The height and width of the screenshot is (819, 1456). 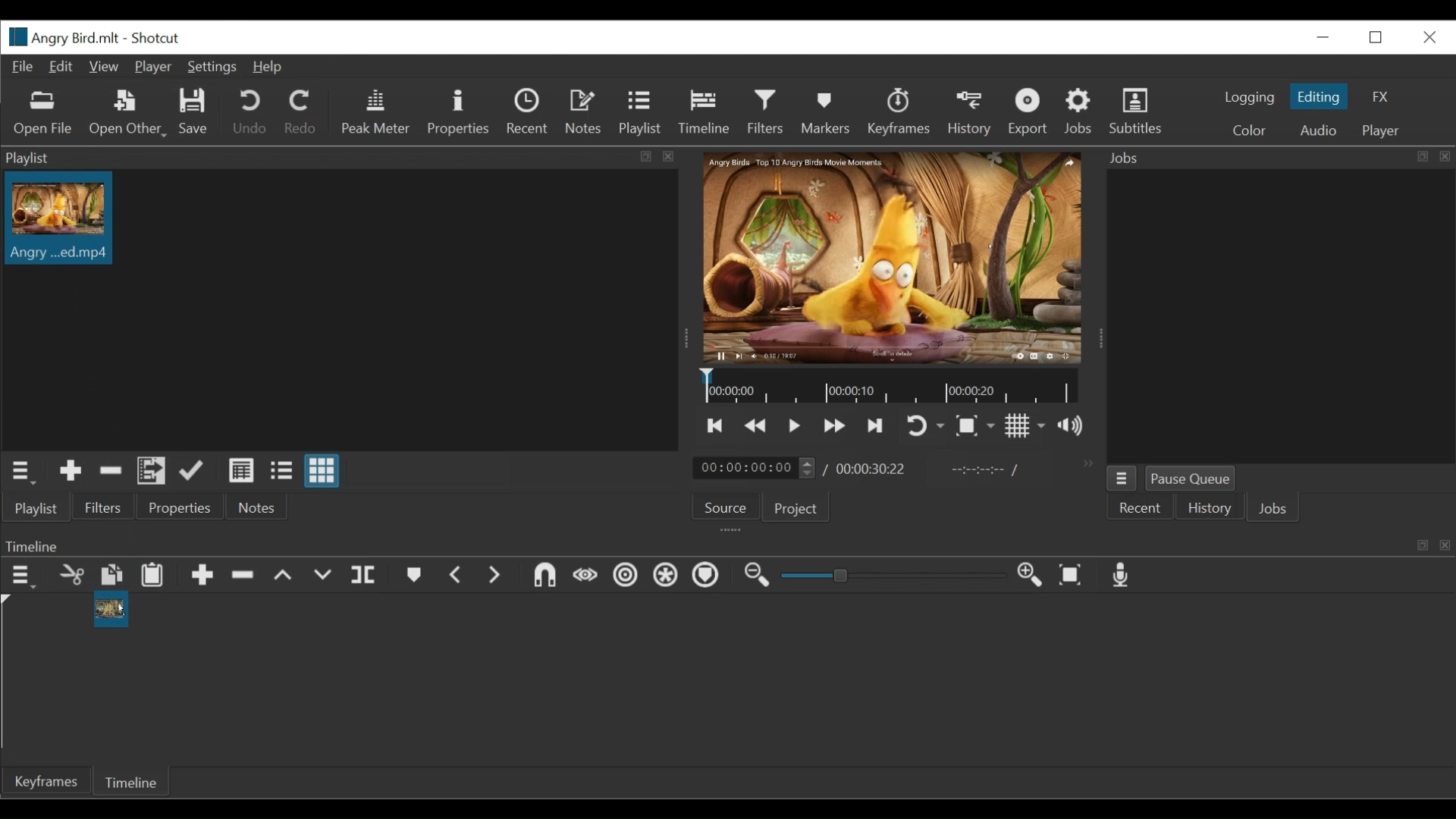 What do you see at coordinates (1026, 425) in the screenshot?
I see `Show display grid on player` at bounding box center [1026, 425].